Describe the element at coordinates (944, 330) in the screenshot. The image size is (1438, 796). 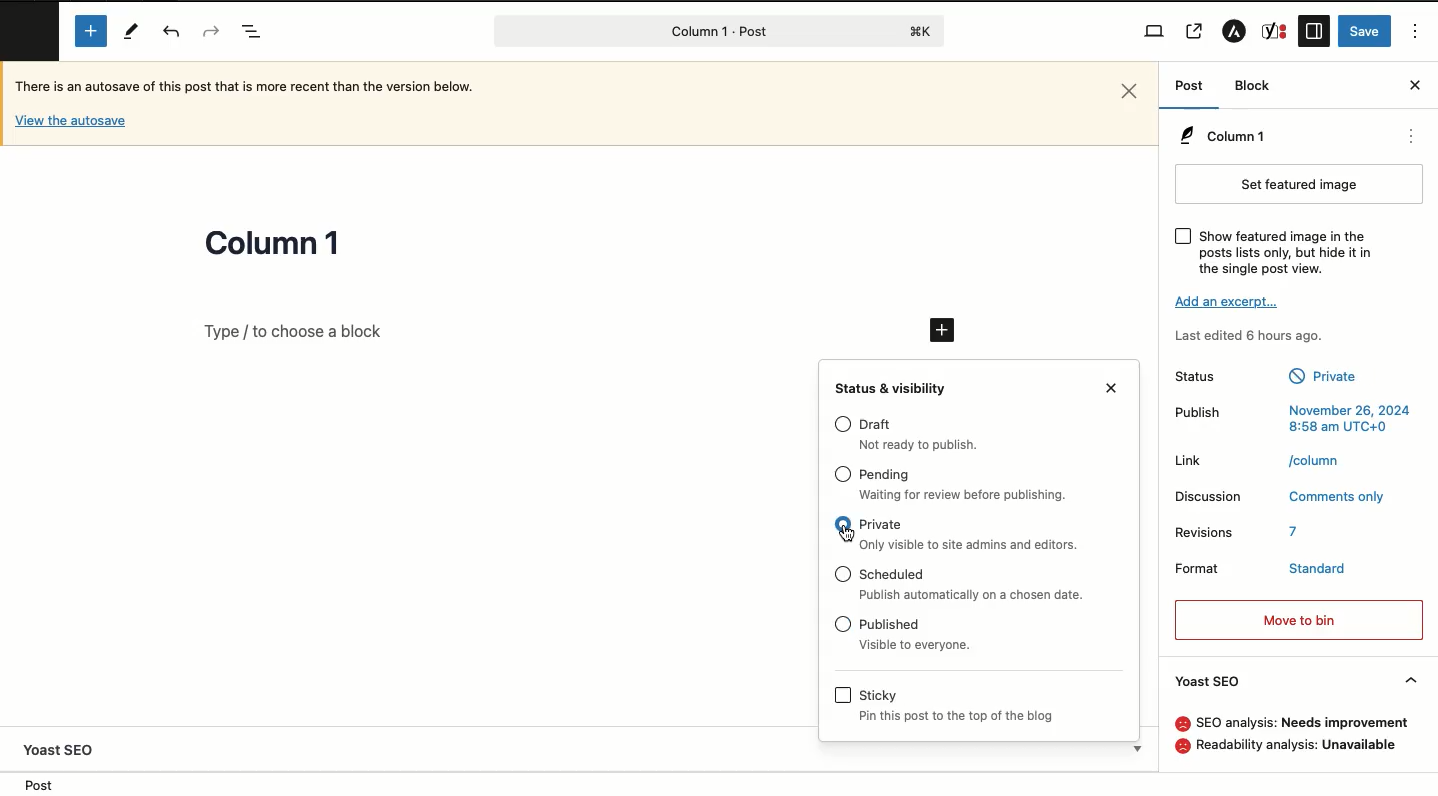
I see `Add block` at that location.